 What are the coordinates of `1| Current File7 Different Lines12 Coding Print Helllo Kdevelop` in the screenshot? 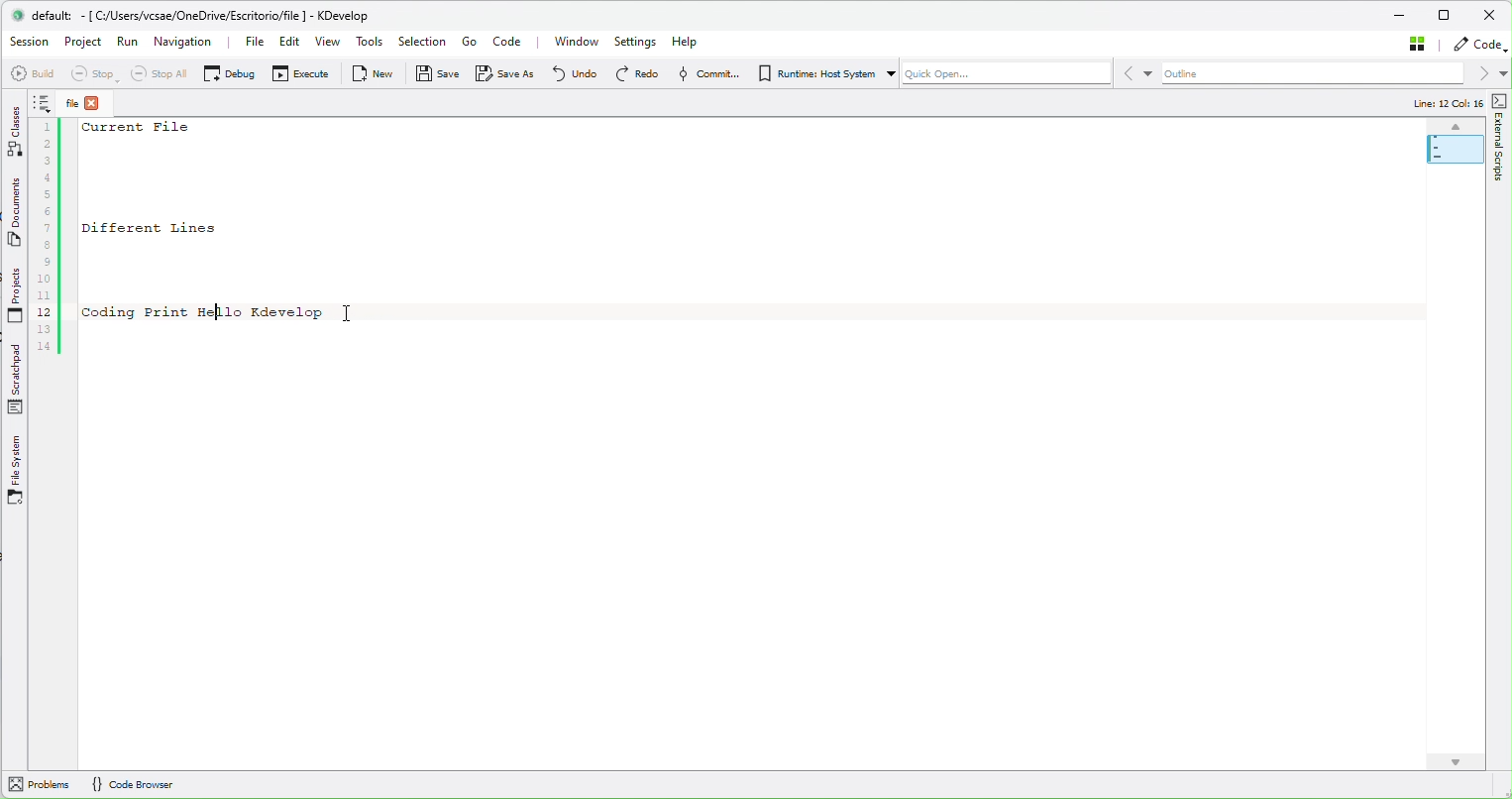 It's located at (183, 243).